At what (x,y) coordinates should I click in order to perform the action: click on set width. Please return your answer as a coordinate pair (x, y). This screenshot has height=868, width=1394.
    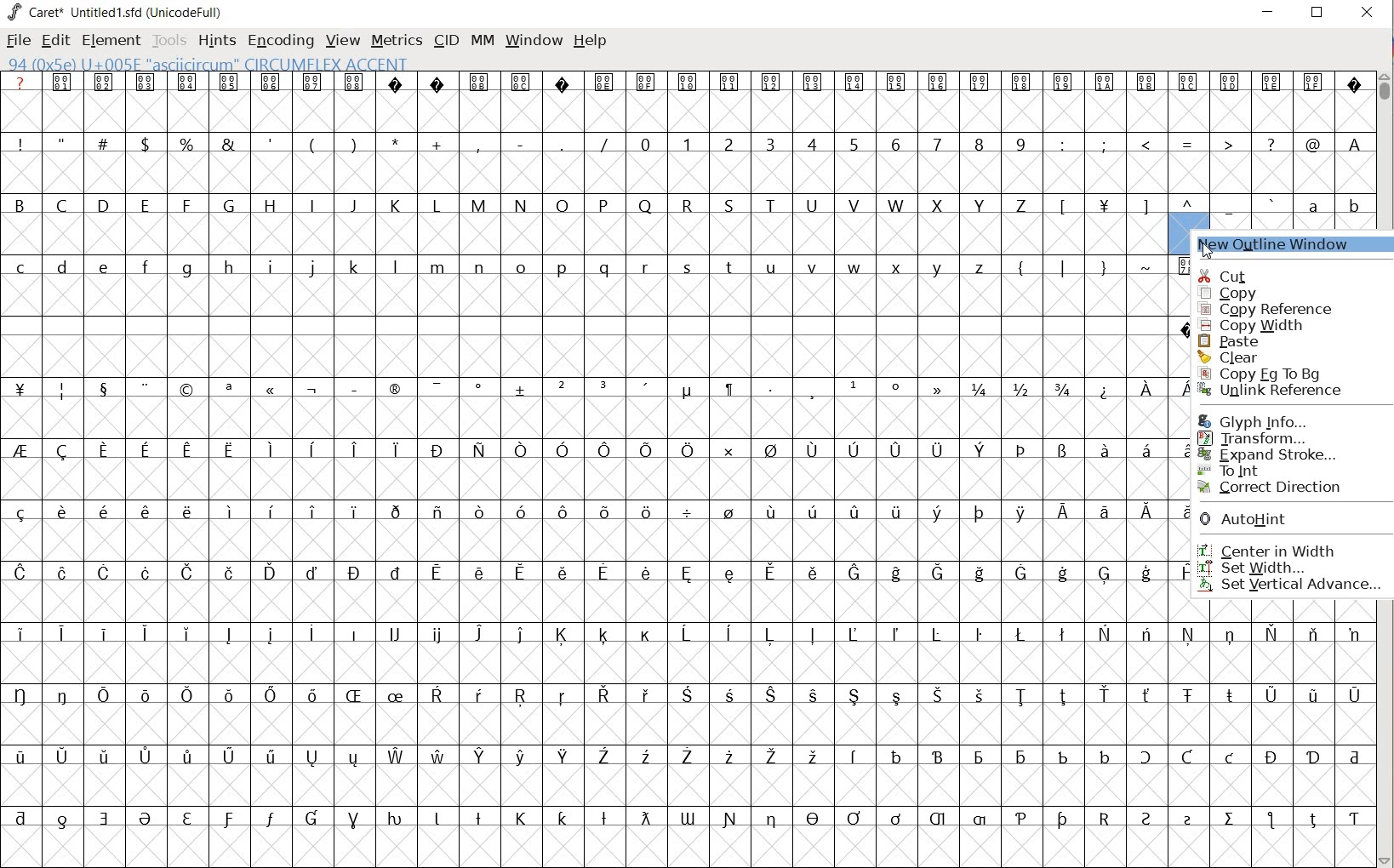
    Looking at the image, I should click on (1279, 569).